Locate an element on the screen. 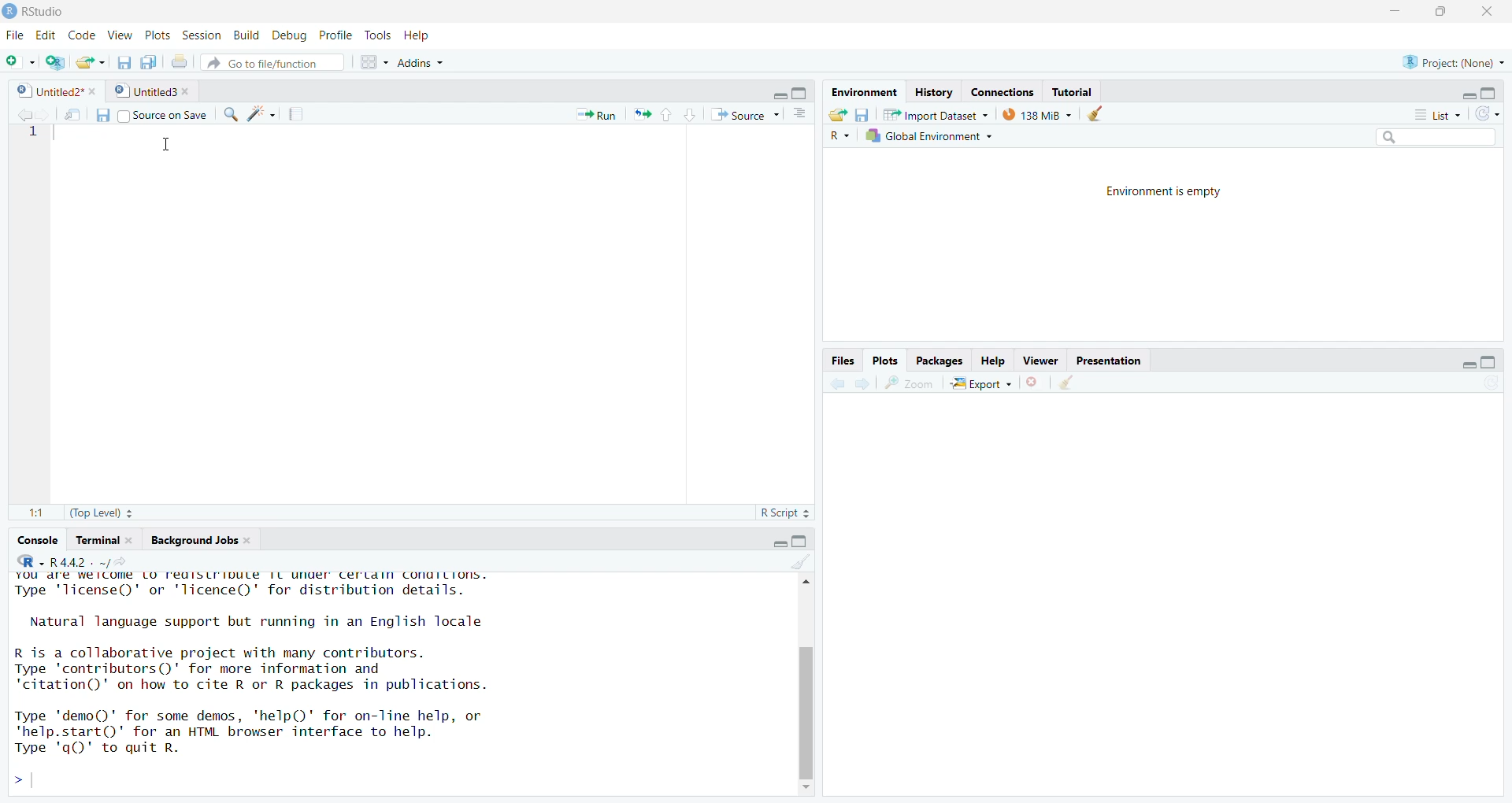 This screenshot has height=803, width=1512. > View is located at coordinates (122, 35).